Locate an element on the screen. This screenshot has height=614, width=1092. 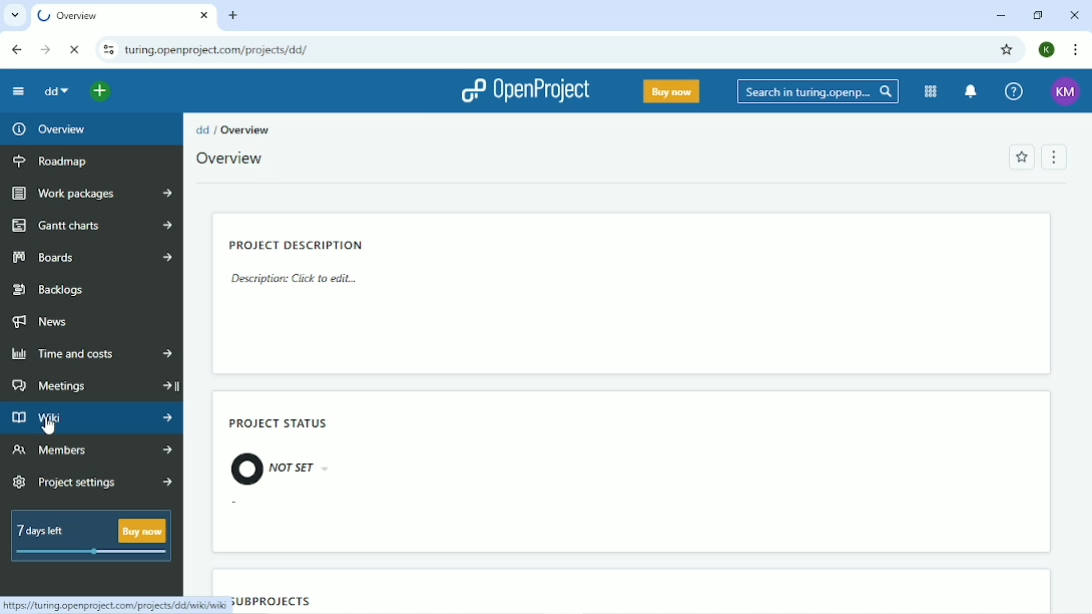
 is located at coordinates (173, 449).